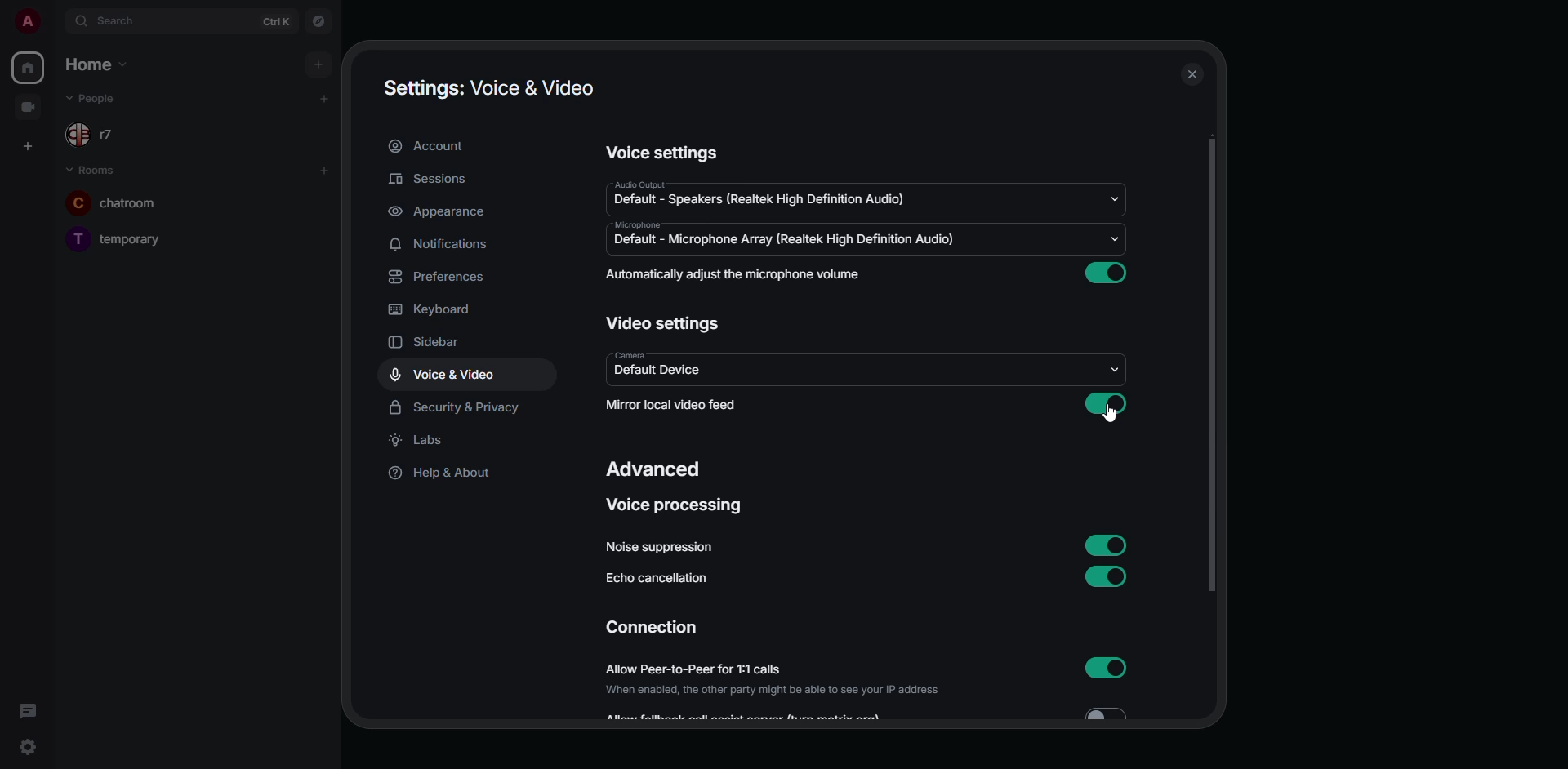 This screenshot has width=1568, height=769. Describe the element at coordinates (629, 356) in the screenshot. I see `camera` at that location.